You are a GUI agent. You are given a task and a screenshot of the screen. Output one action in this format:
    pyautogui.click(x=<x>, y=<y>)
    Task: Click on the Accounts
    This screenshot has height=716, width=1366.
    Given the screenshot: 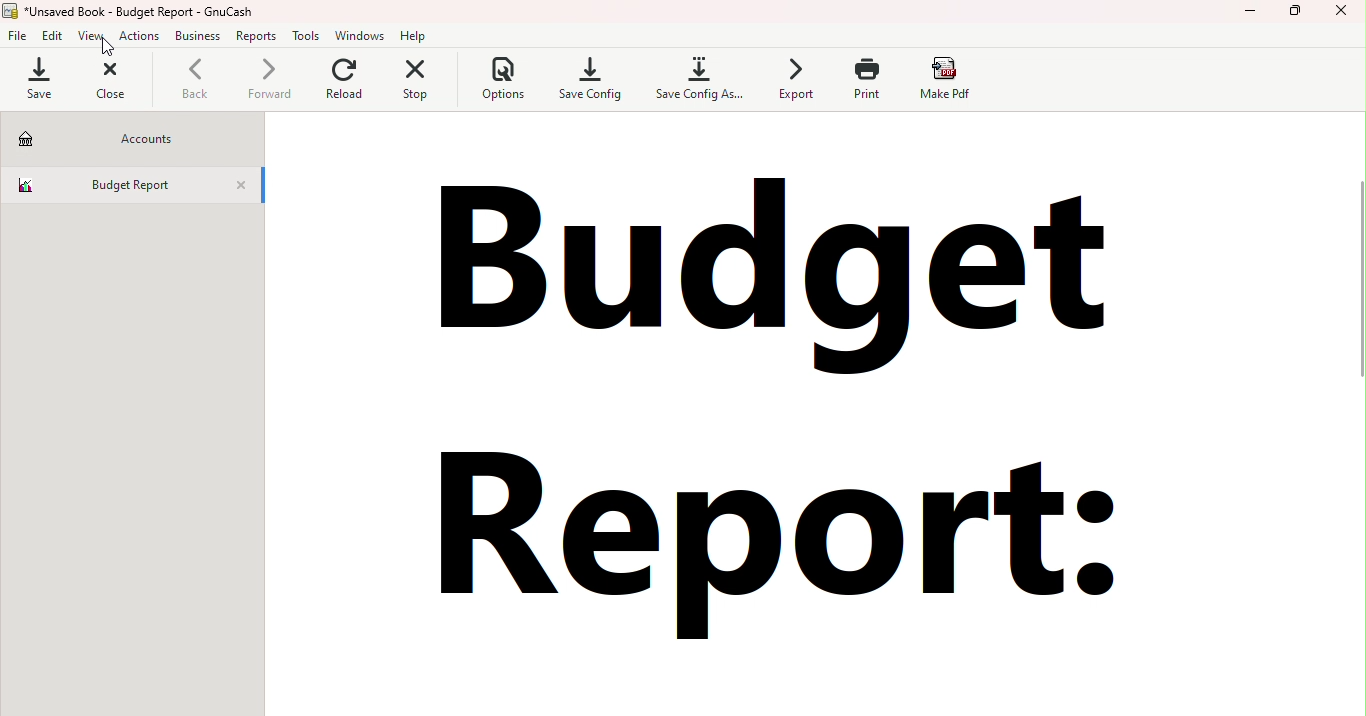 What is the action you would take?
    pyautogui.click(x=138, y=140)
    